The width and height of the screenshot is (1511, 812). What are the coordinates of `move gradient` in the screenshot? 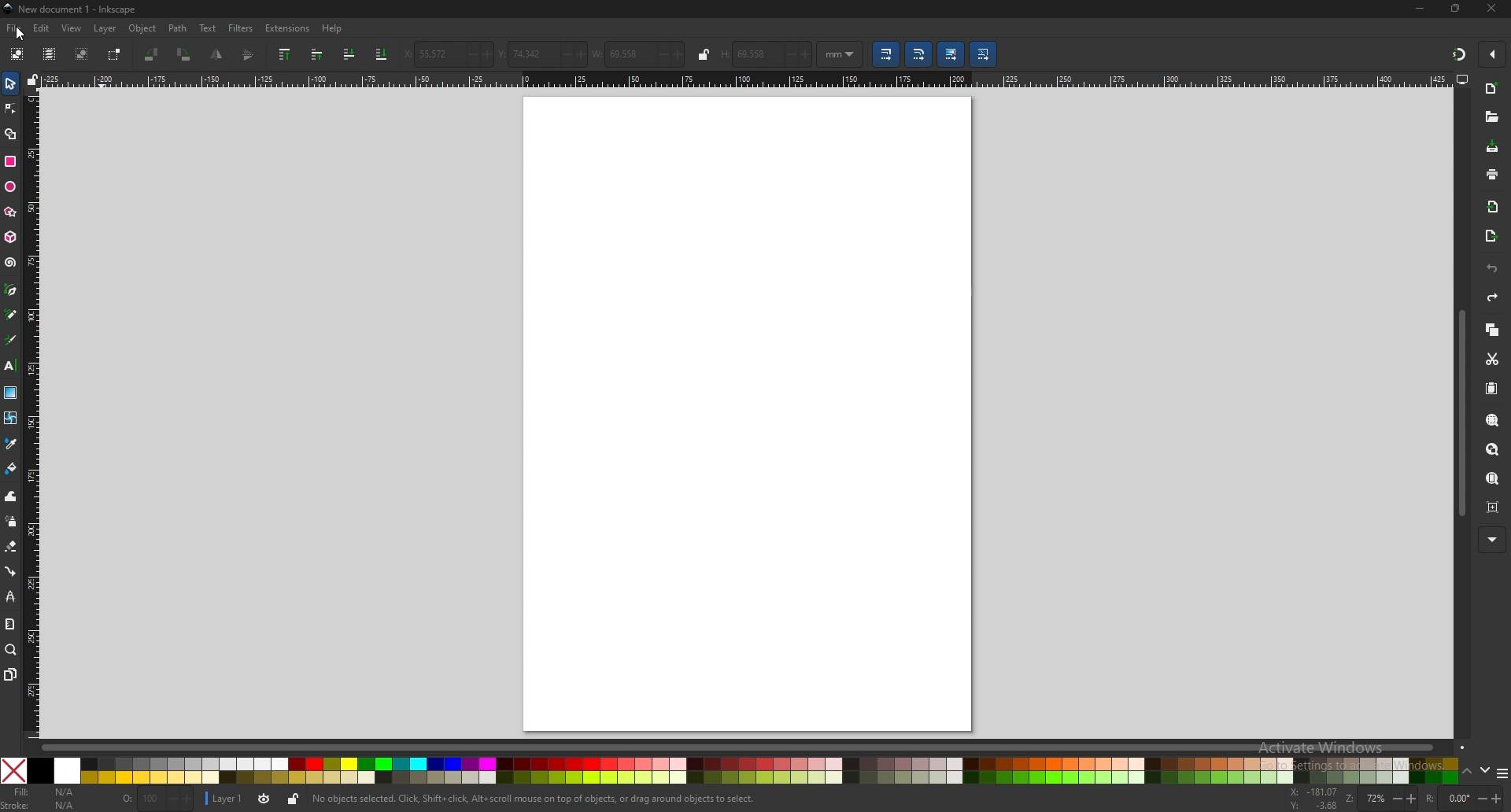 It's located at (952, 54).